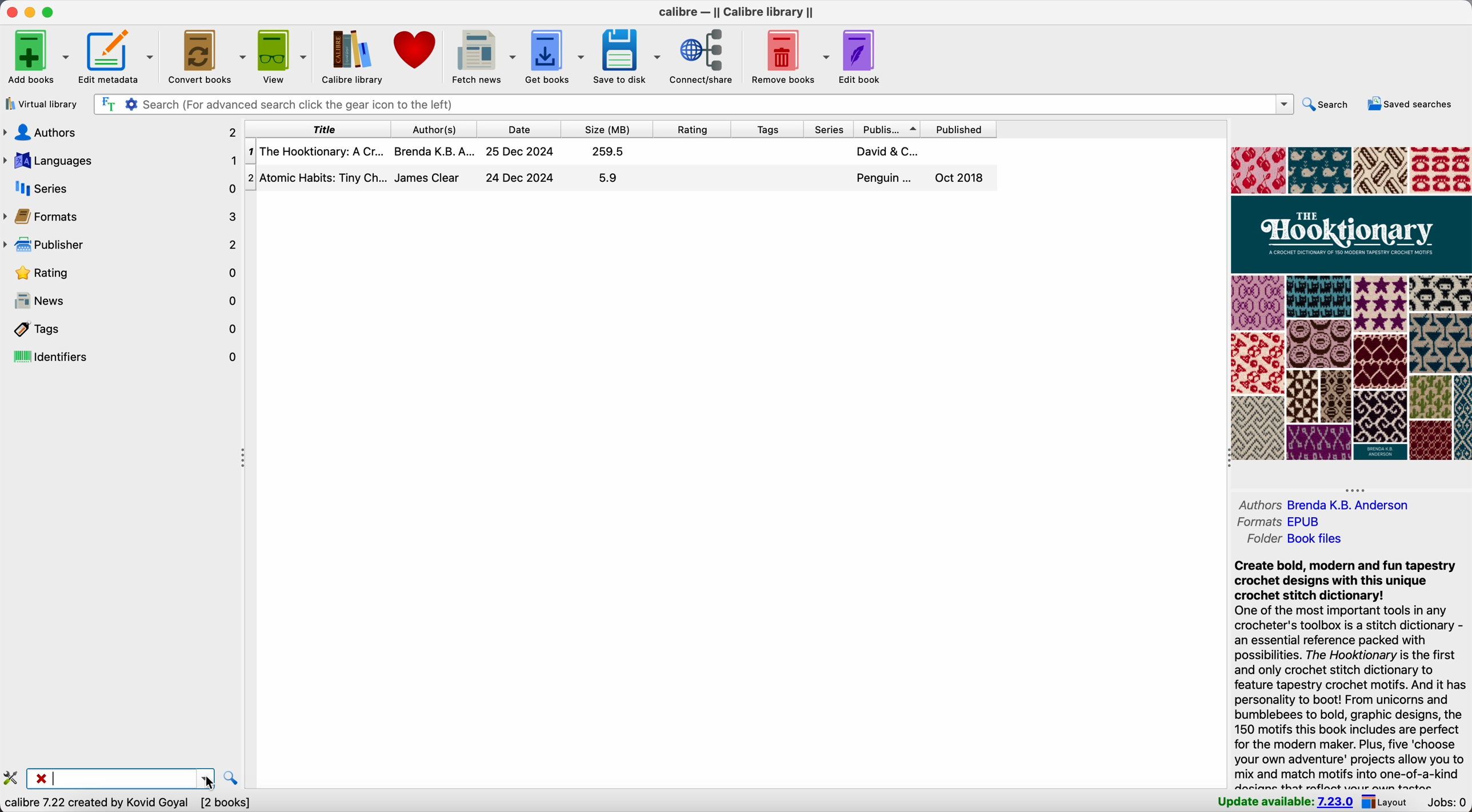  Describe the element at coordinates (42, 105) in the screenshot. I see `virtual library` at that location.